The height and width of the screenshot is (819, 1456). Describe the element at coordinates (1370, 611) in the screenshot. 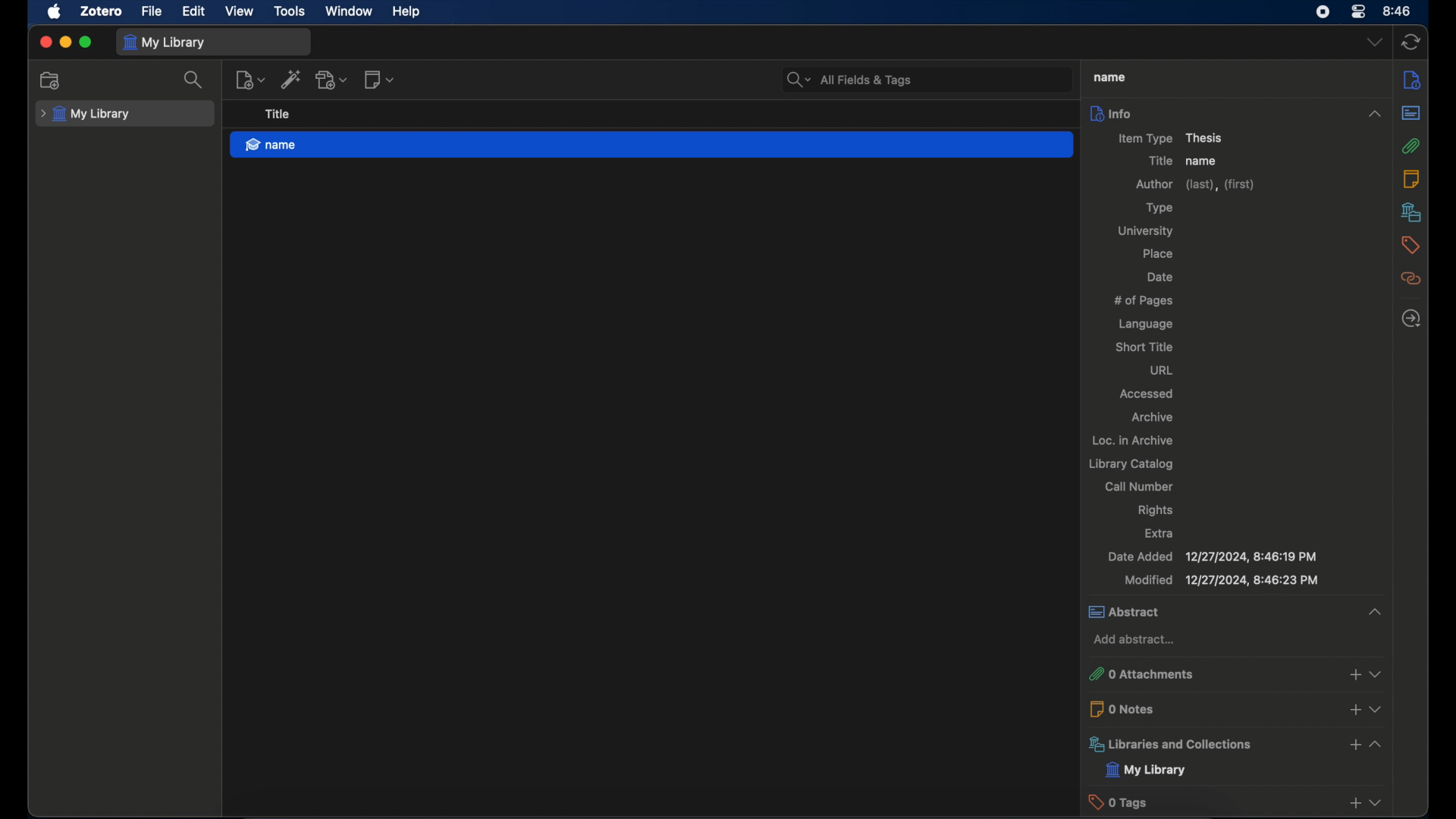

I see `collapse` at that location.